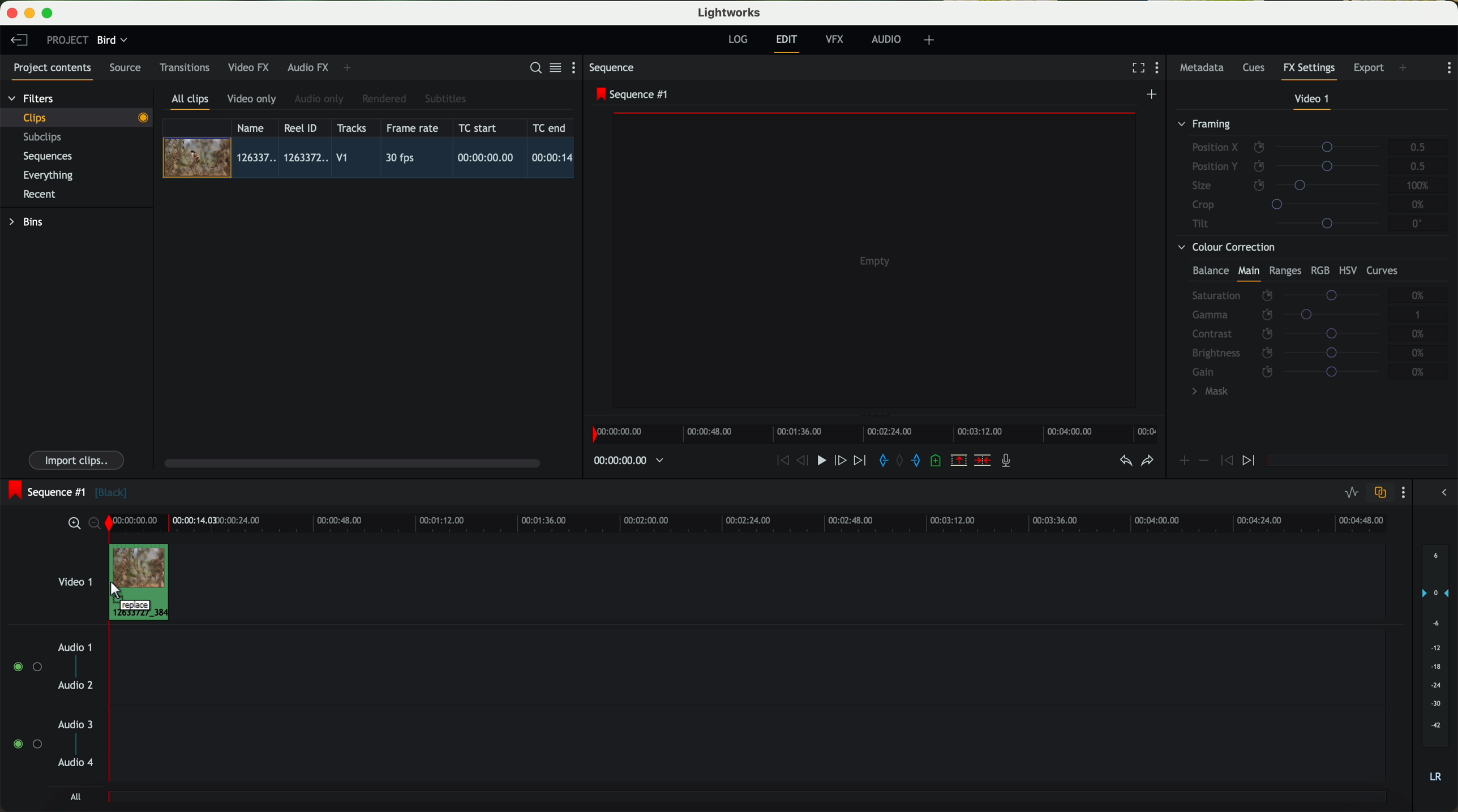 The width and height of the screenshot is (1458, 812). Describe the element at coordinates (32, 14) in the screenshot. I see `minimize program` at that location.